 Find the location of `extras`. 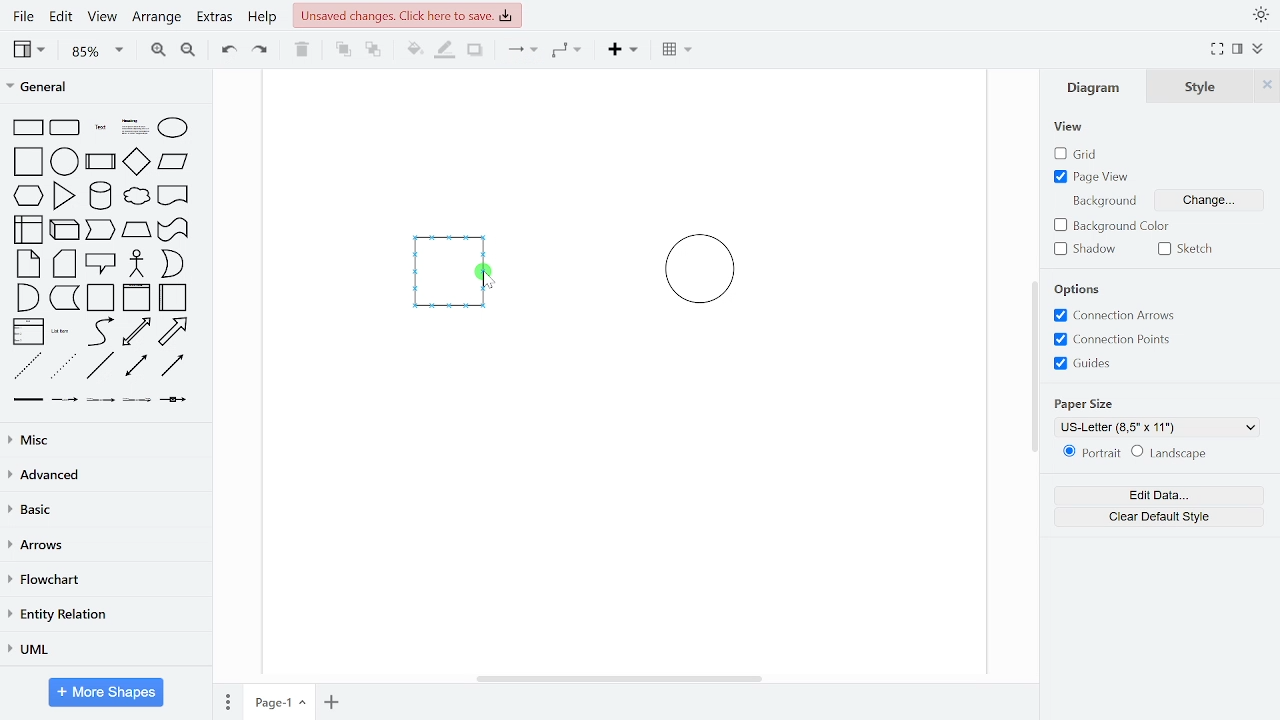

extras is located at coordinates (214, 17).